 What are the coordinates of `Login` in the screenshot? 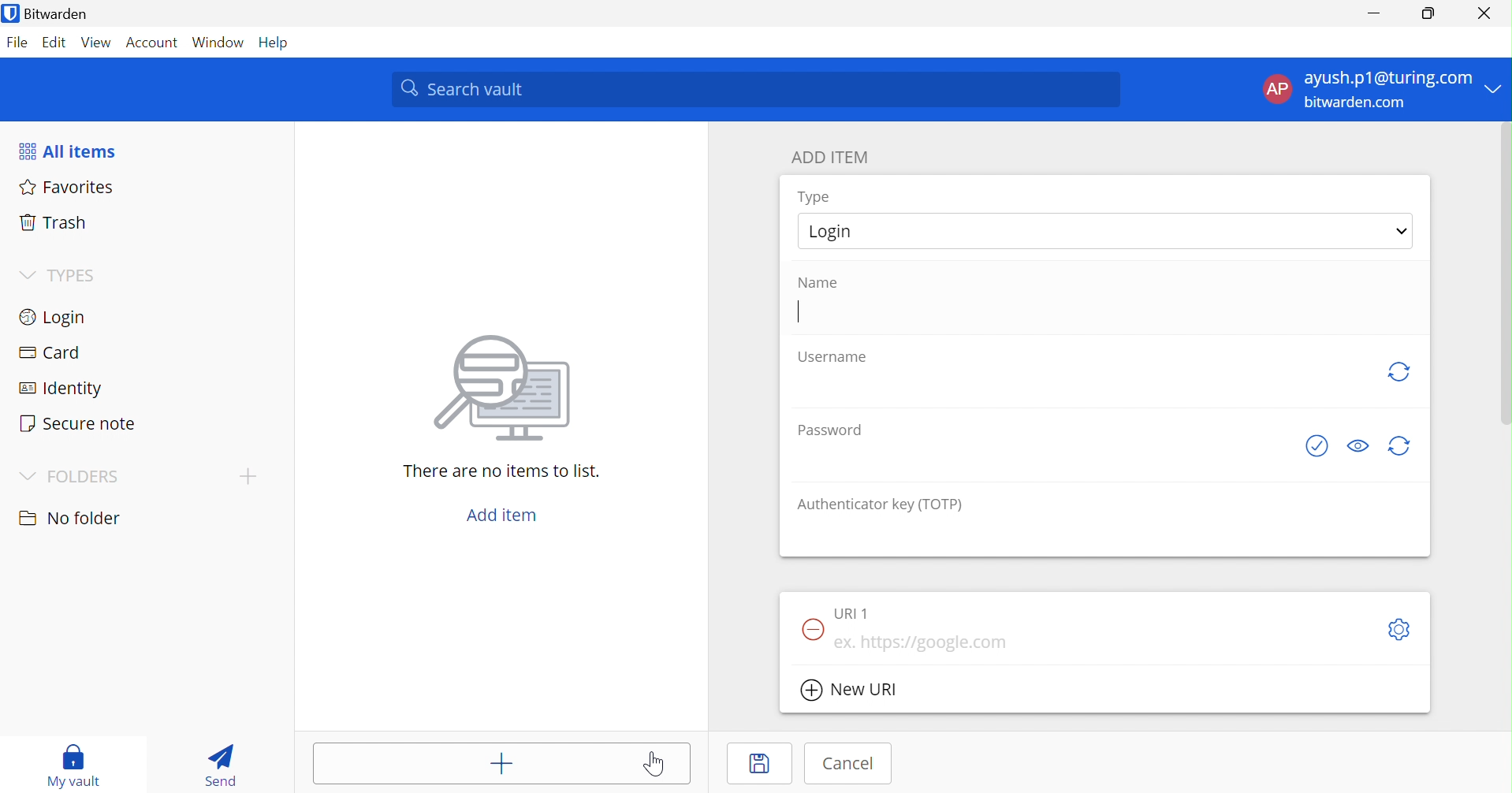 It's located at (56, 316).